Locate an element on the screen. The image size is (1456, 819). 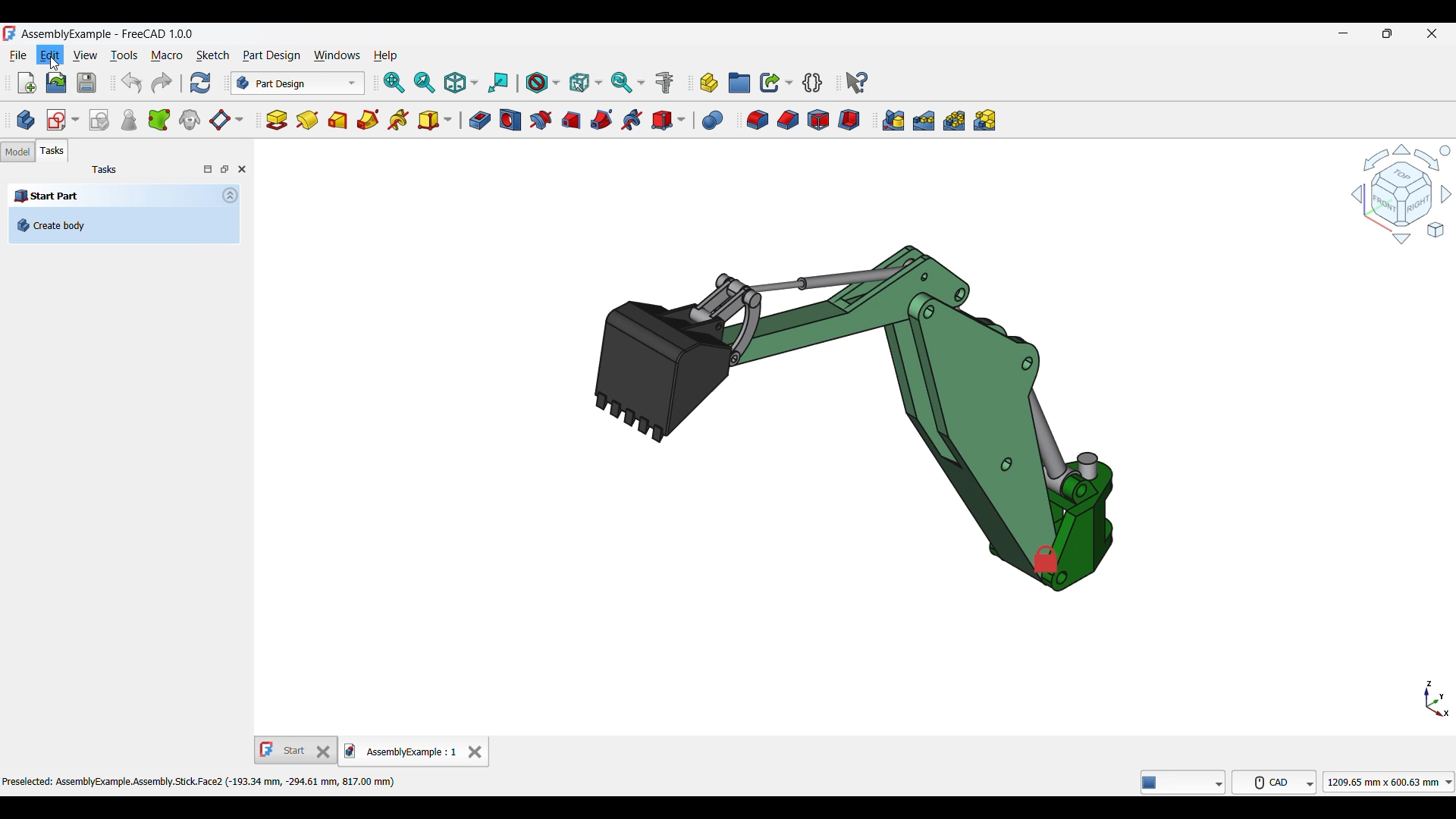
cursor is located at coordinates (55, 62).